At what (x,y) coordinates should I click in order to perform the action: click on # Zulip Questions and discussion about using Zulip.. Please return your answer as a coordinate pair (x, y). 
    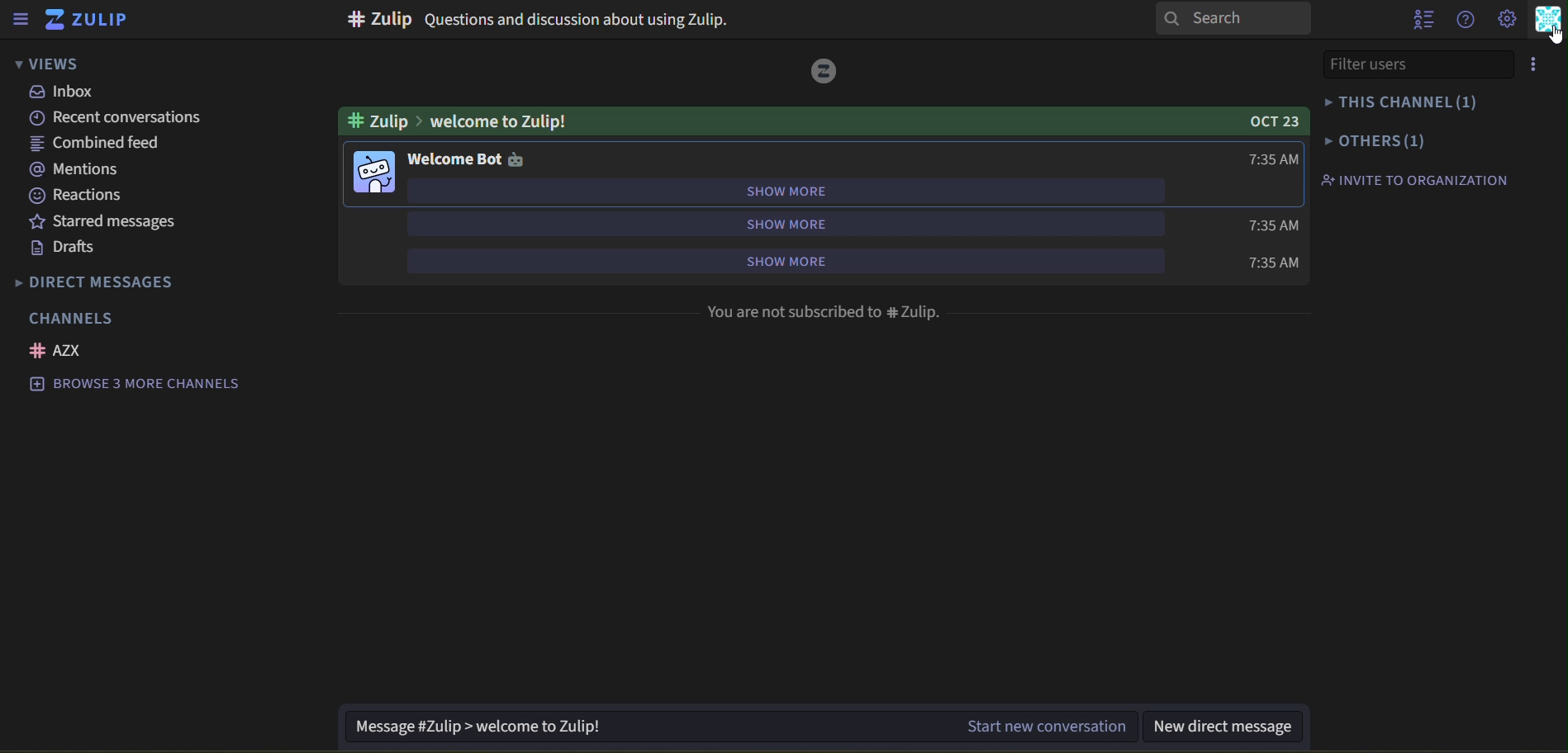
    Looking at the image, I should click on (535, 21).